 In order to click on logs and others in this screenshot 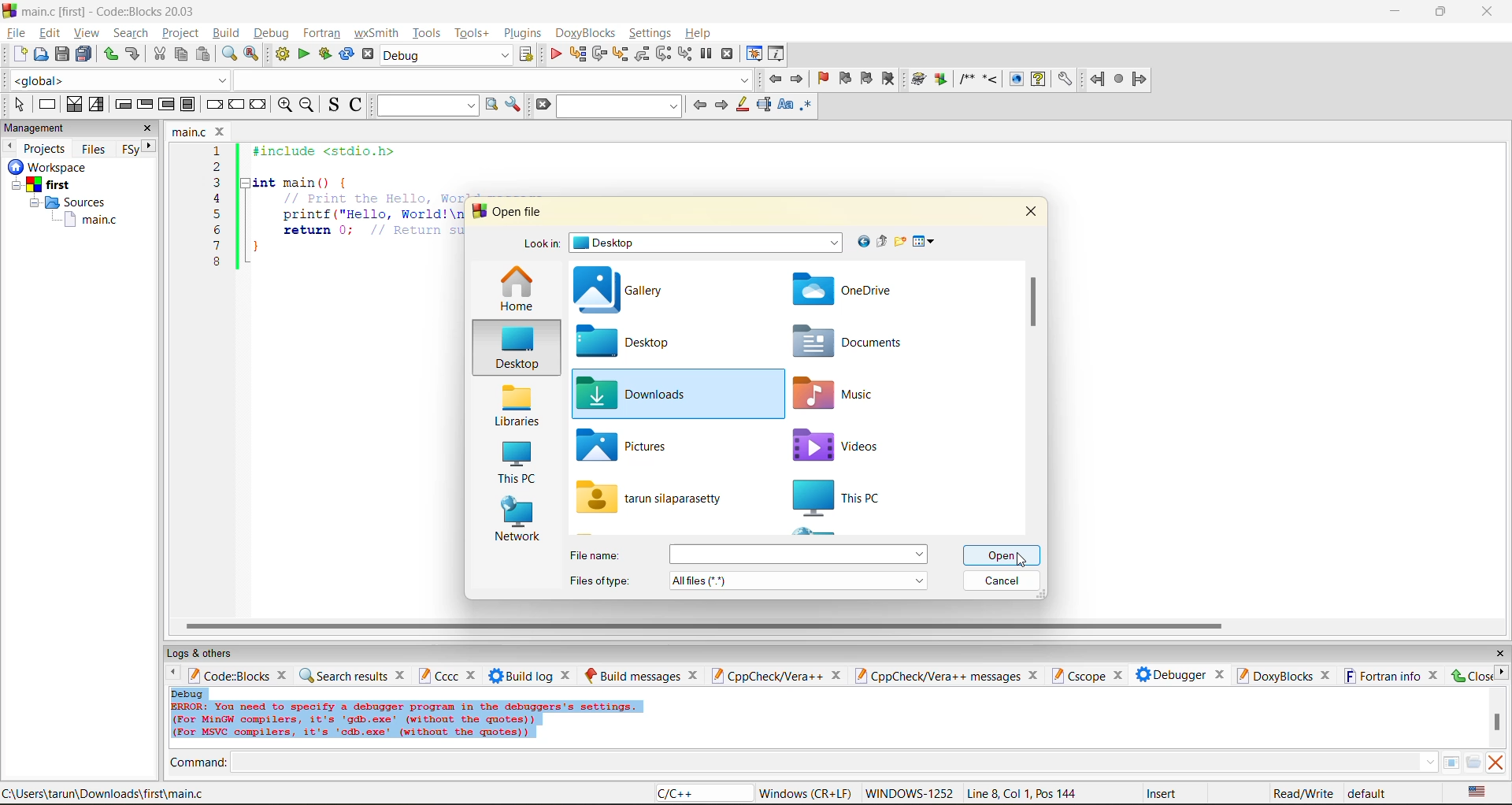, I will do `click(210, 653)`.